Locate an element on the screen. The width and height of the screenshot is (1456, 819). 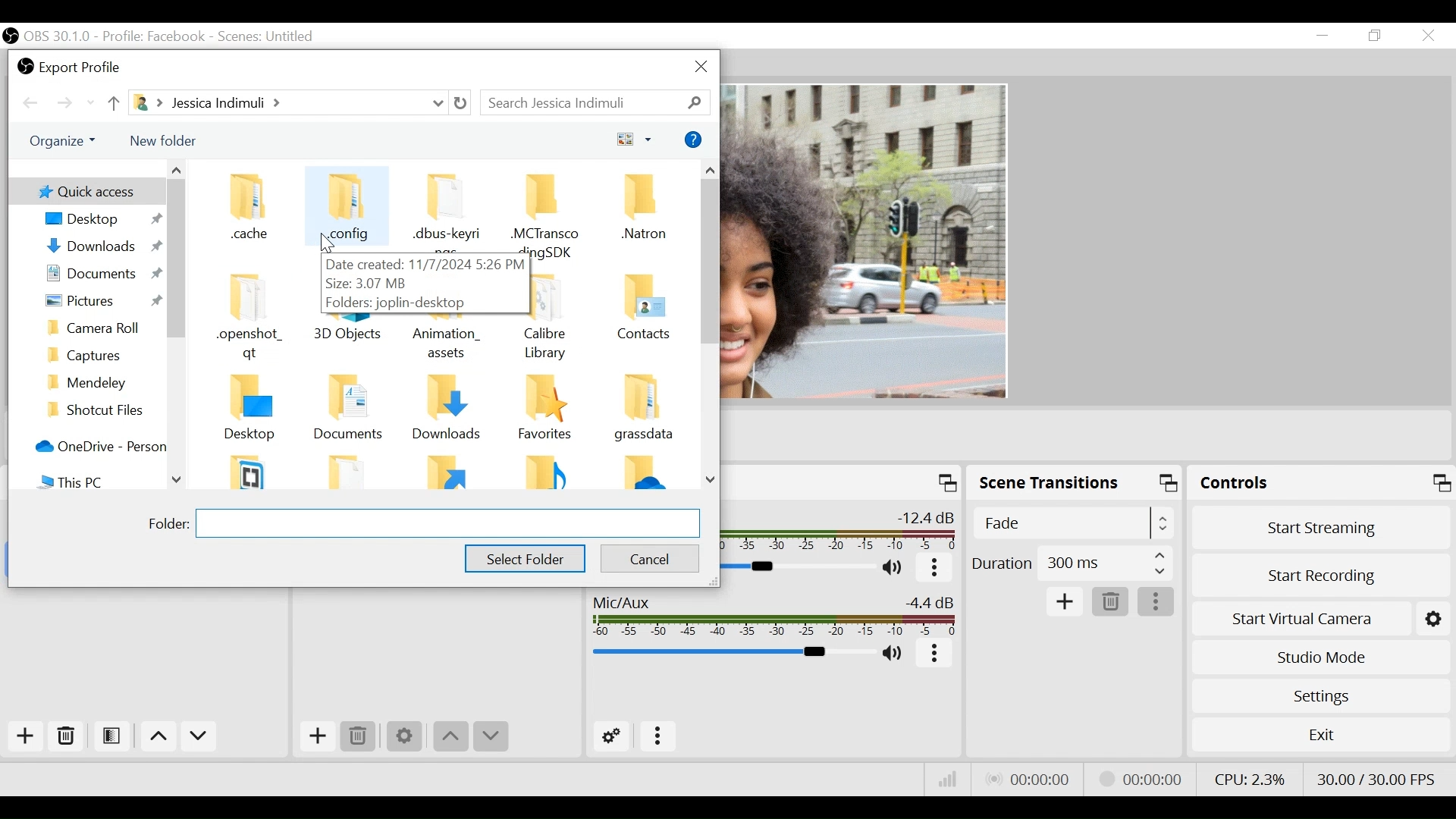
Folder is located at coordinates (545, 472).